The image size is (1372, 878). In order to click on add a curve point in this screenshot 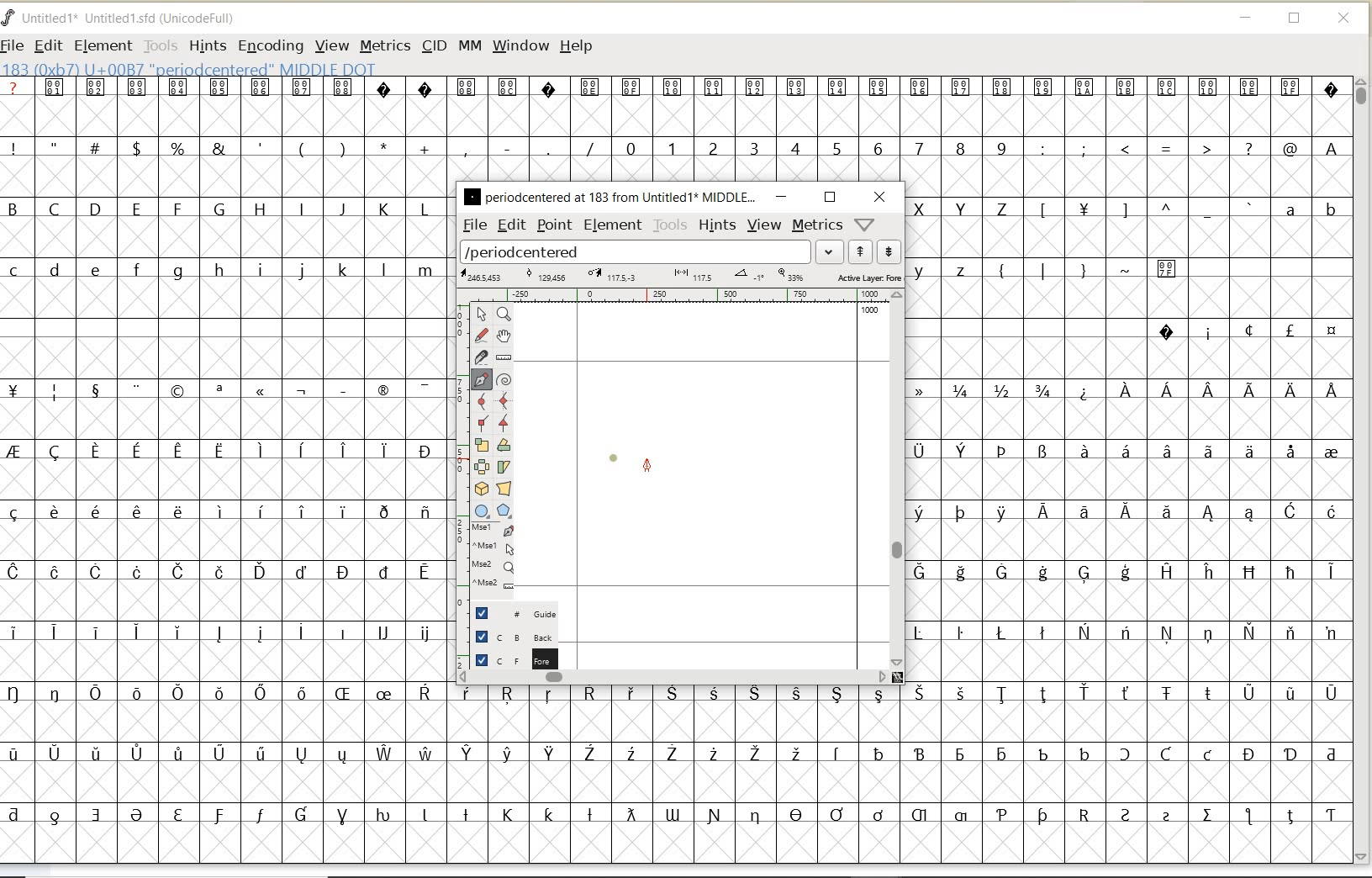, I will do `click(483, 399)`.